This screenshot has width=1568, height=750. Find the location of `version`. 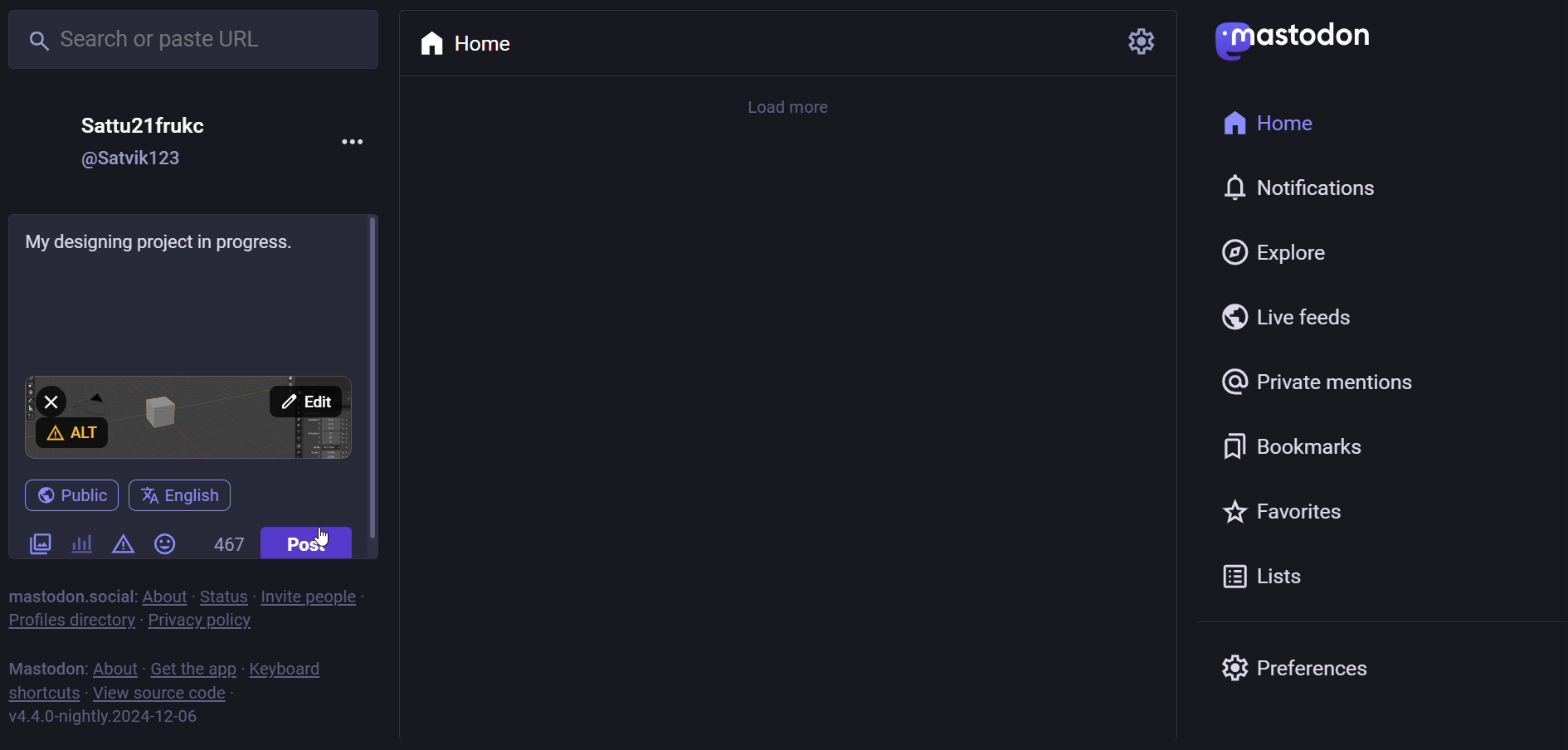

version is located at coordinates (100, 720).